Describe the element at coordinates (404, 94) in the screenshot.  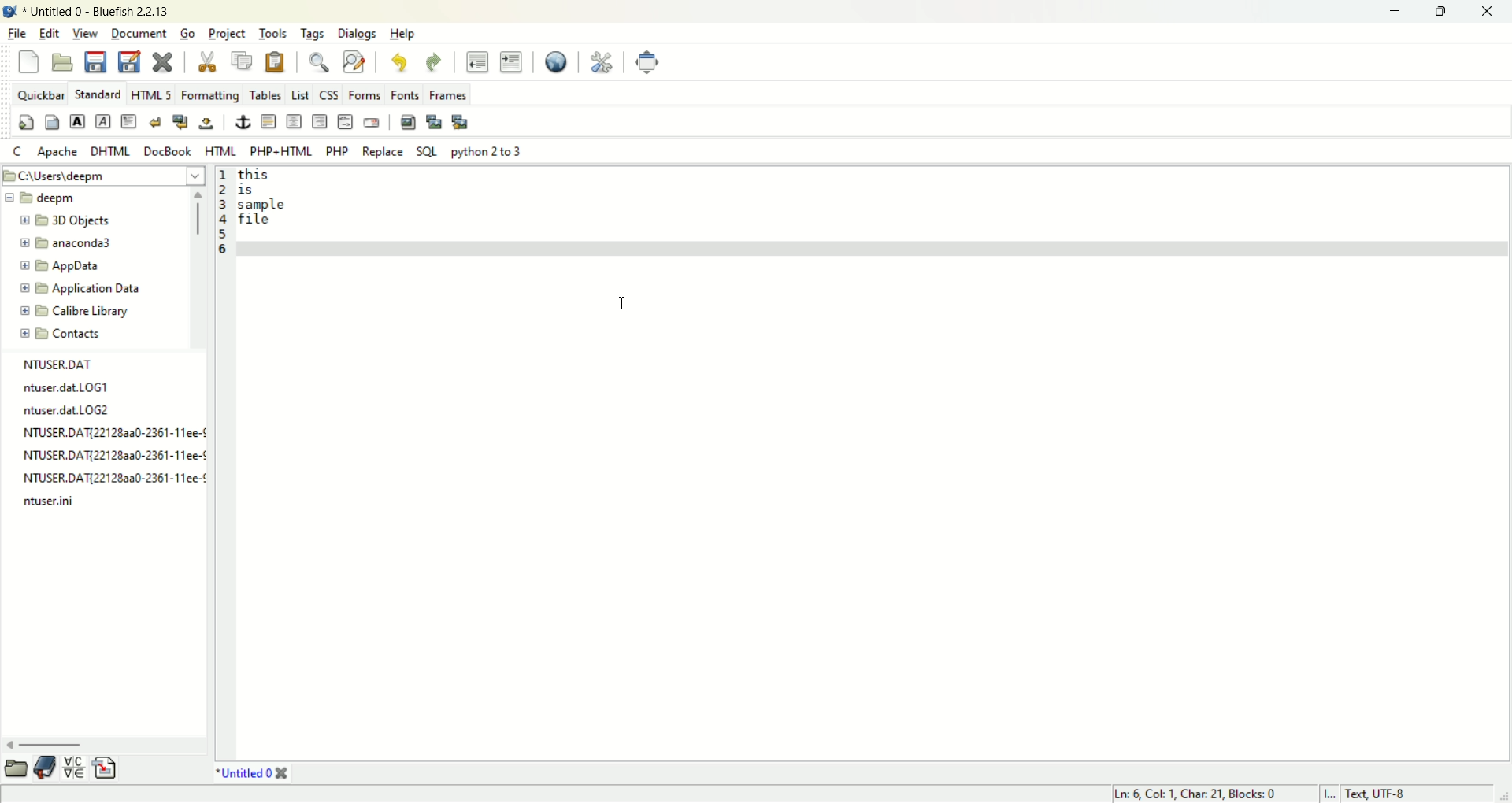
I see `fonts` at that location.